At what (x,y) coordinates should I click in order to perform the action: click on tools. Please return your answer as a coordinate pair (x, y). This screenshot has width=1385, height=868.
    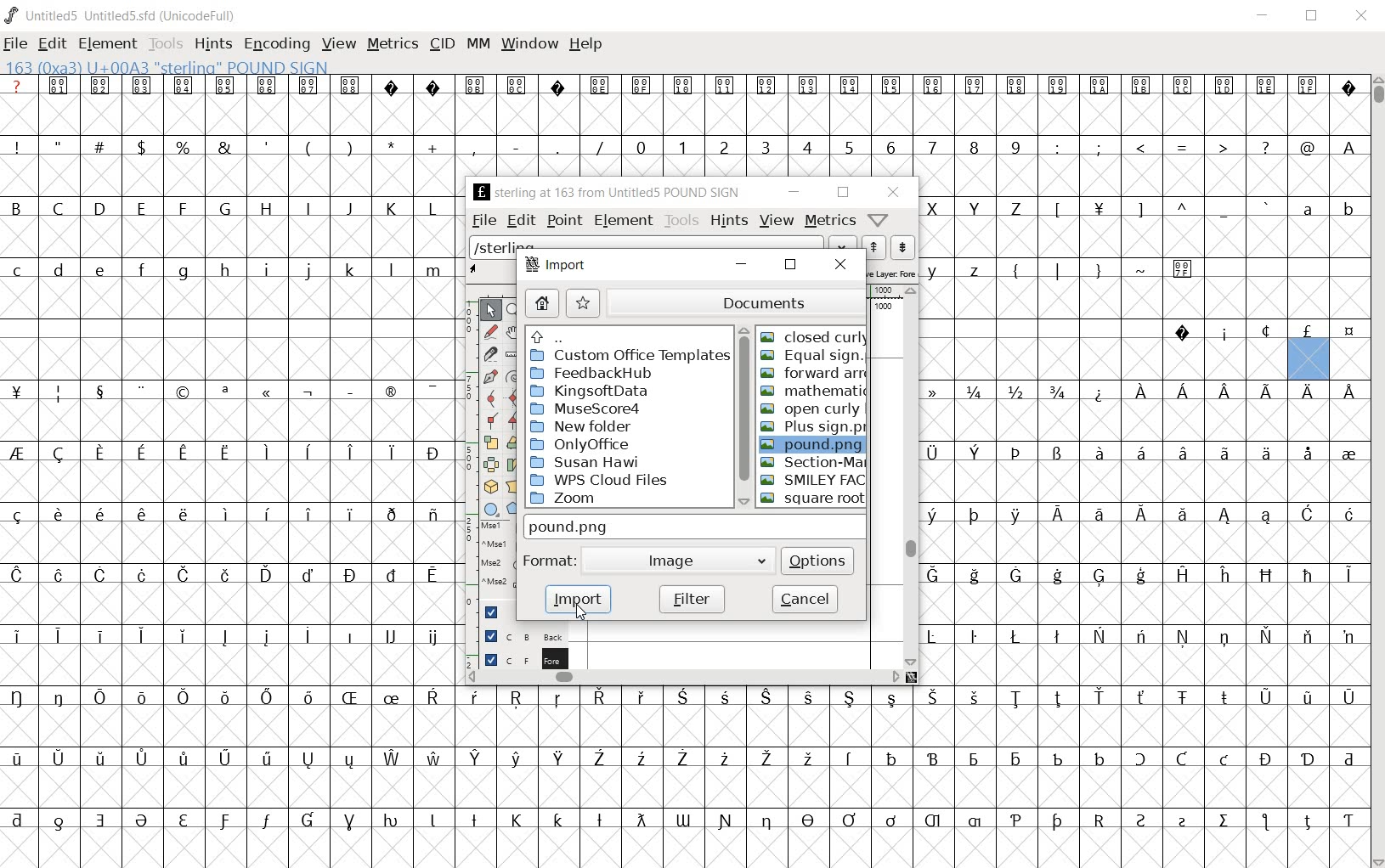
    Looking at the image, I should click on (681, 220).